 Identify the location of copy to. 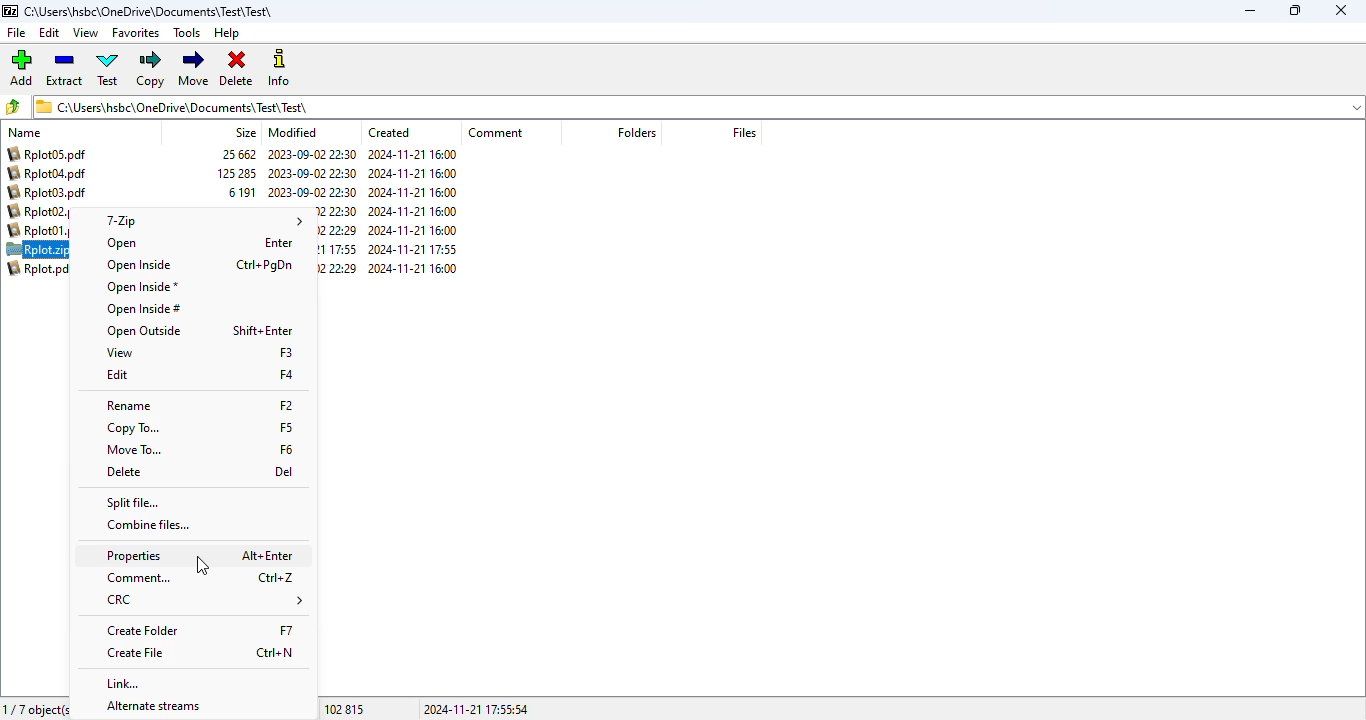
(135, 428).